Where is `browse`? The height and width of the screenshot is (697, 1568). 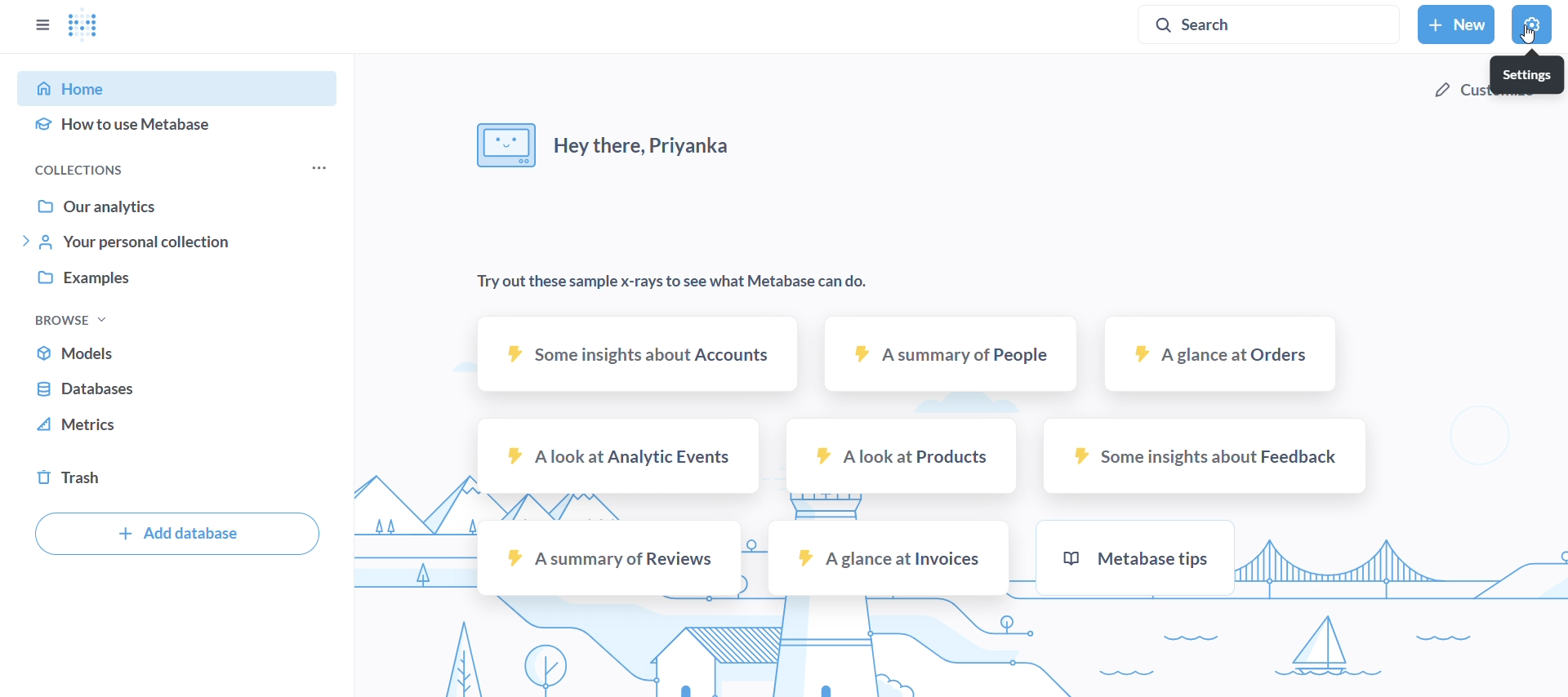
browse is located at coordinates (70, 318).